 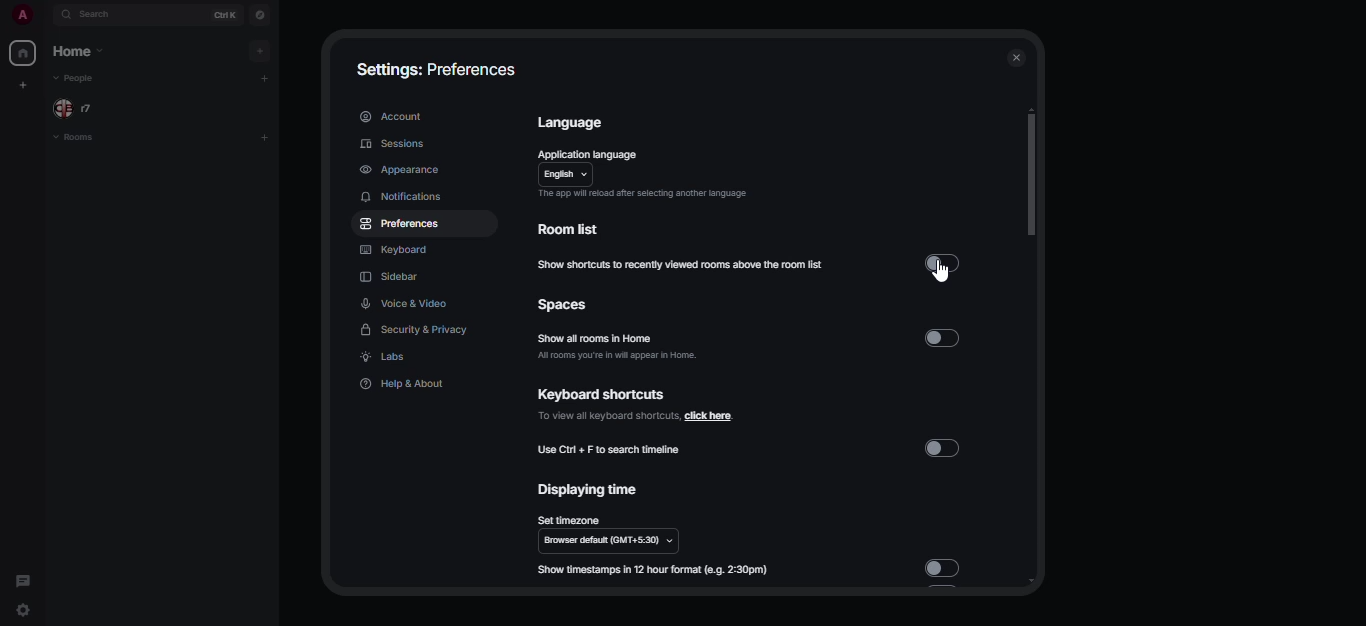 What do you see at coordinates (568, 119) in the screenshot?
I see `language` at bounding box center [568, 119].